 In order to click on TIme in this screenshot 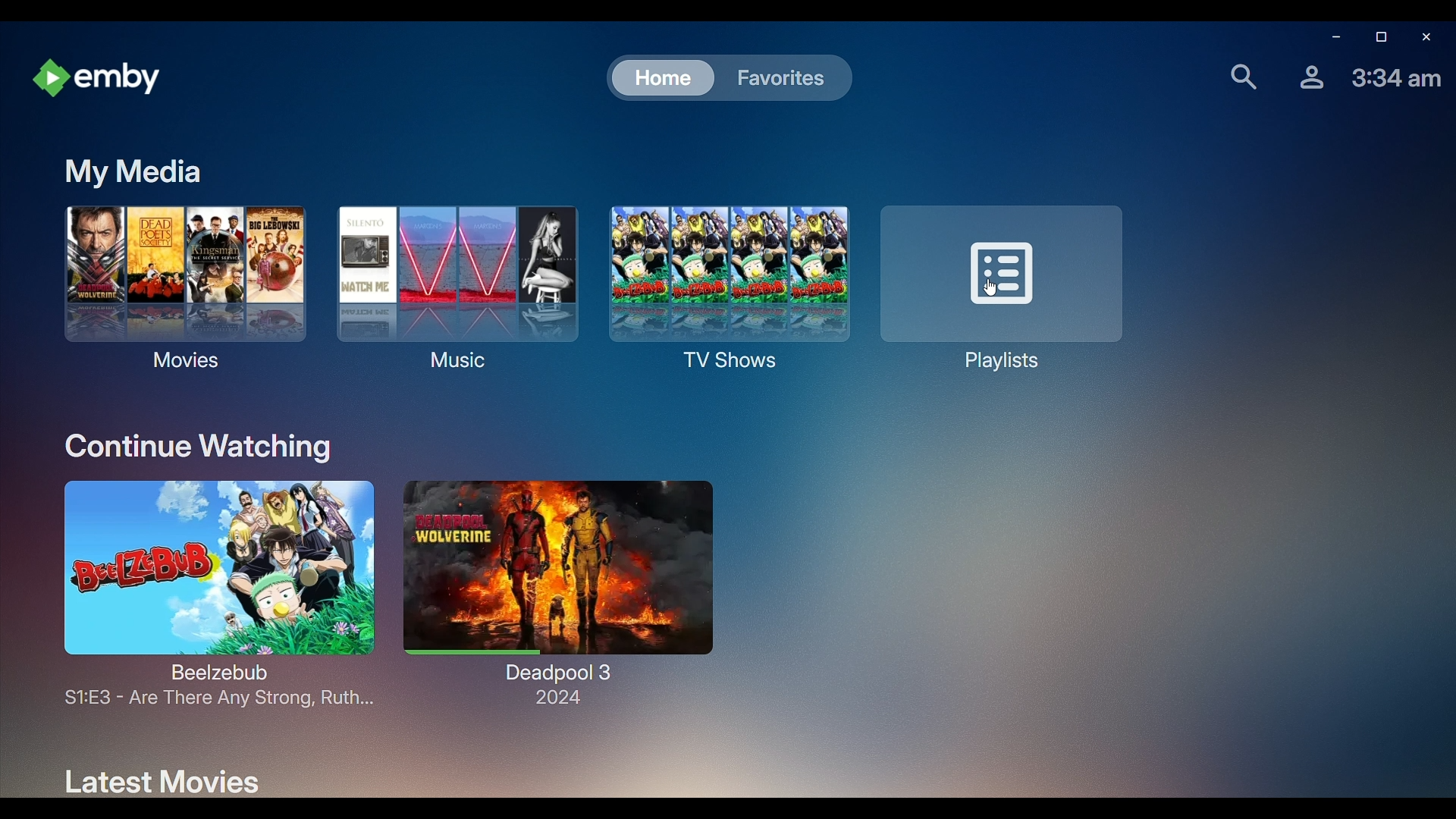, I will do `click(1398, 78)`.